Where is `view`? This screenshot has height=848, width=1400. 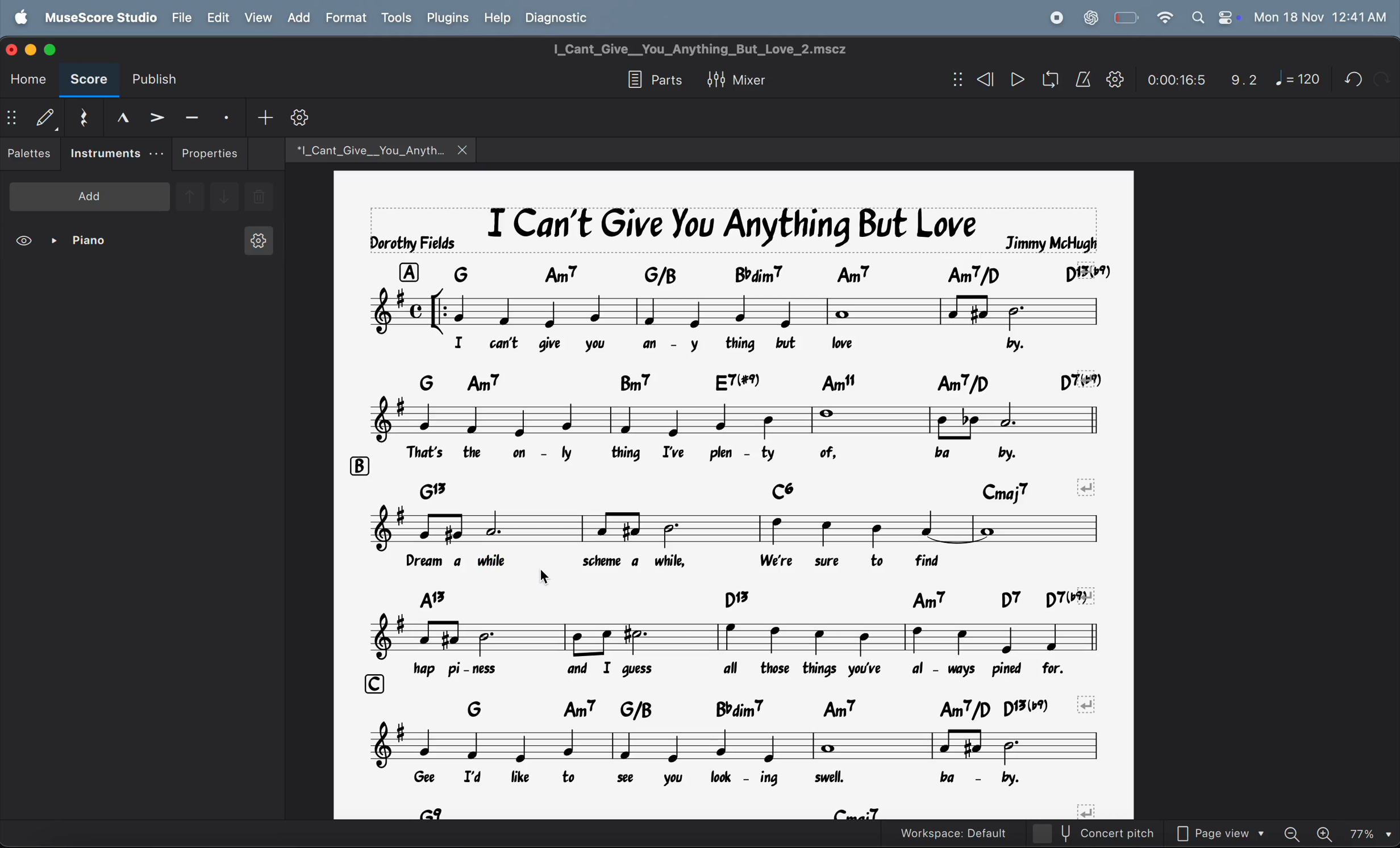
view is located at coordinates (23, 239).